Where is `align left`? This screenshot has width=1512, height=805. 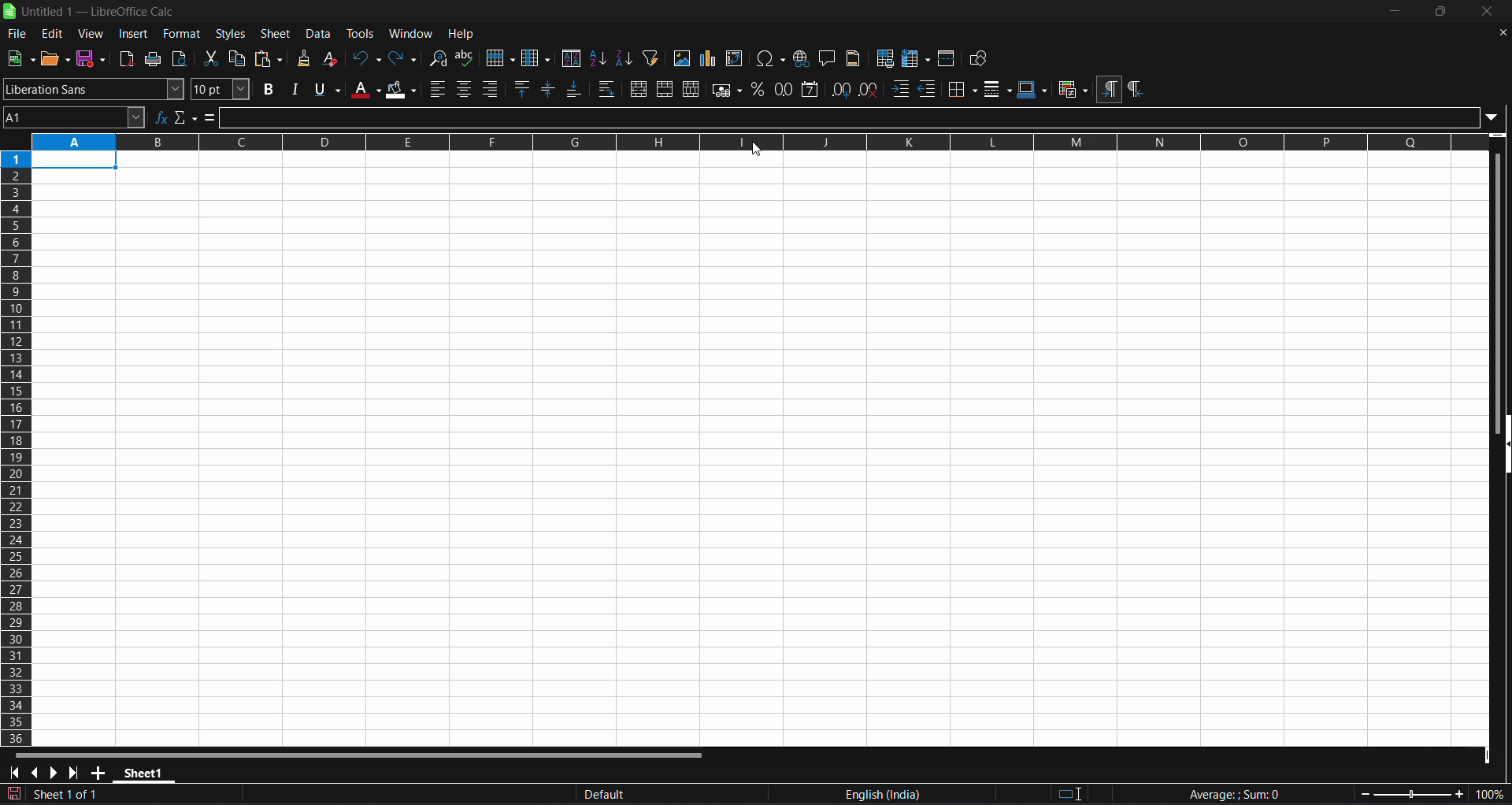 align left is located at coordinates (435, 90).